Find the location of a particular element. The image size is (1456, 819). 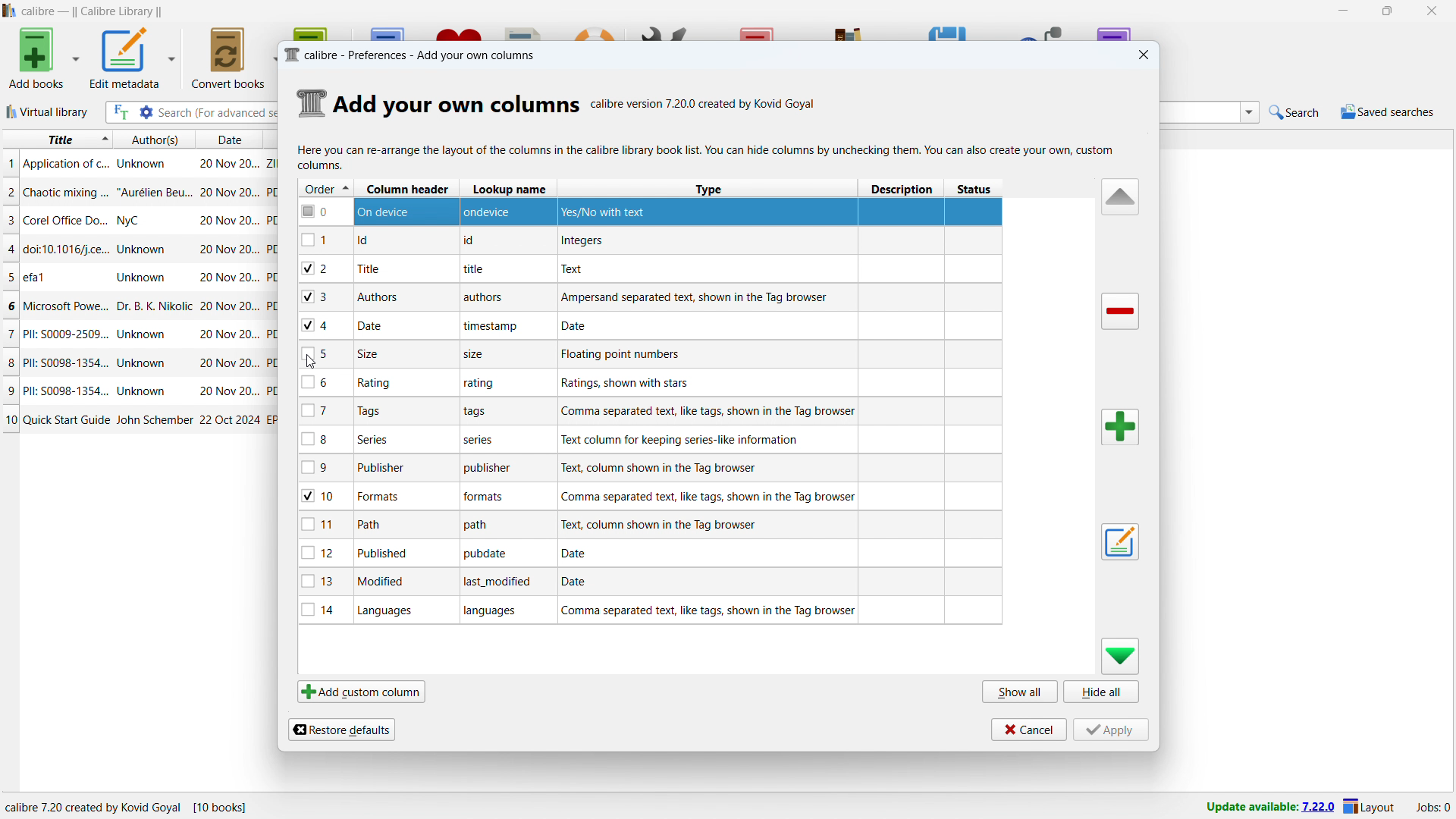

authors is located at coordinates (155, 139).